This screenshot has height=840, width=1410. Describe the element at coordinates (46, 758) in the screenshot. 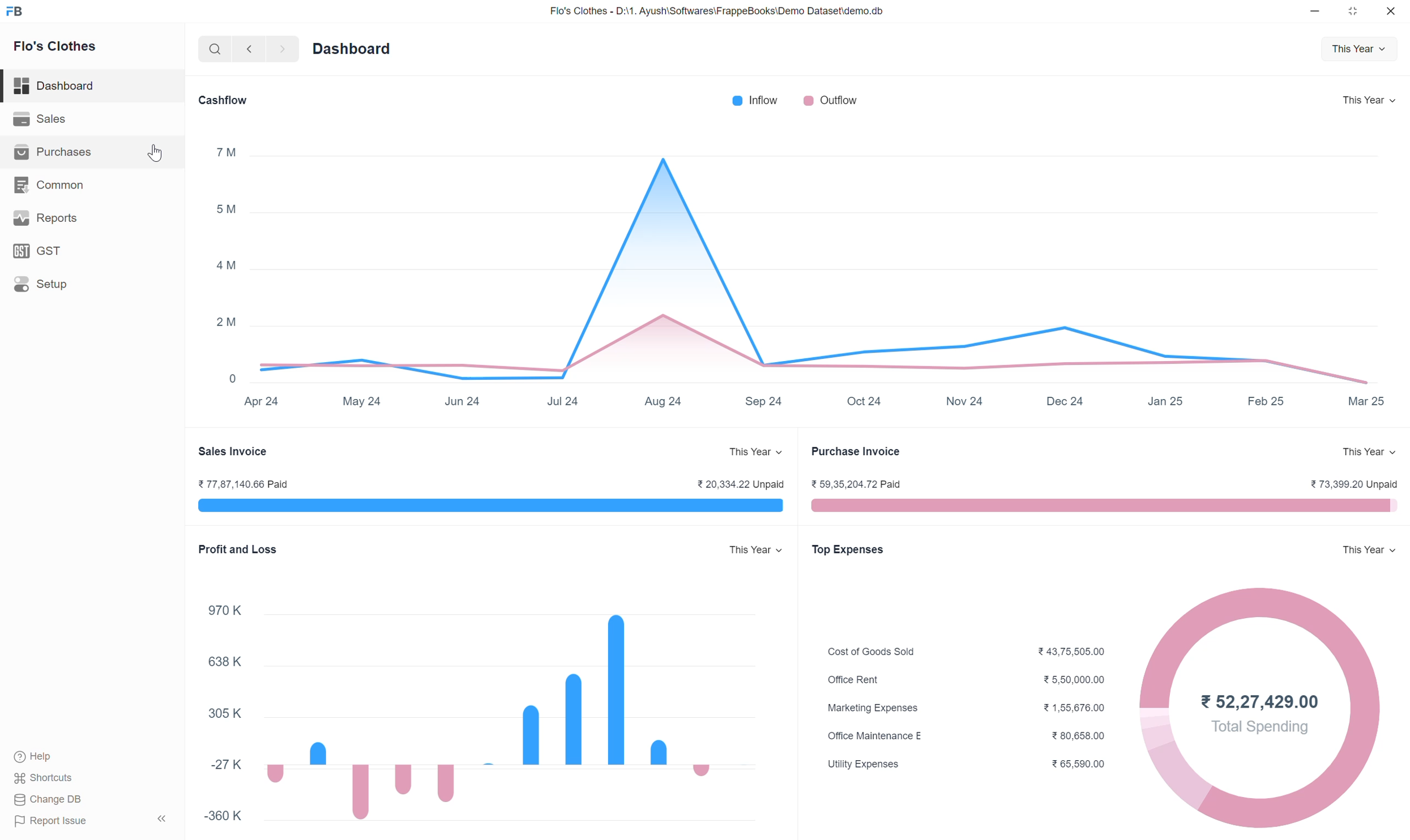

I see ` Help` at that location.